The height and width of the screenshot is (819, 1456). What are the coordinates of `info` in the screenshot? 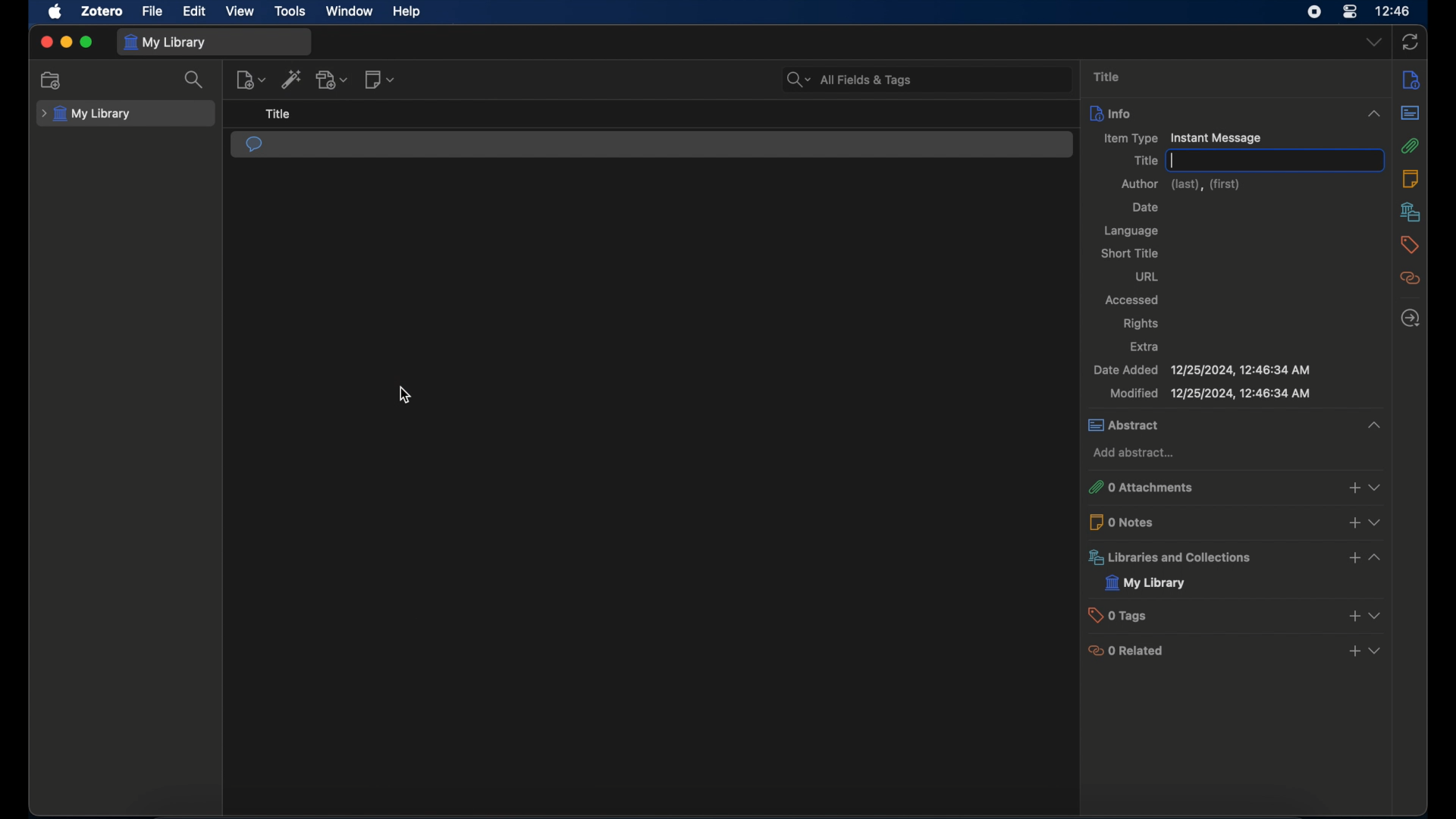 It's located at (1238, 112).